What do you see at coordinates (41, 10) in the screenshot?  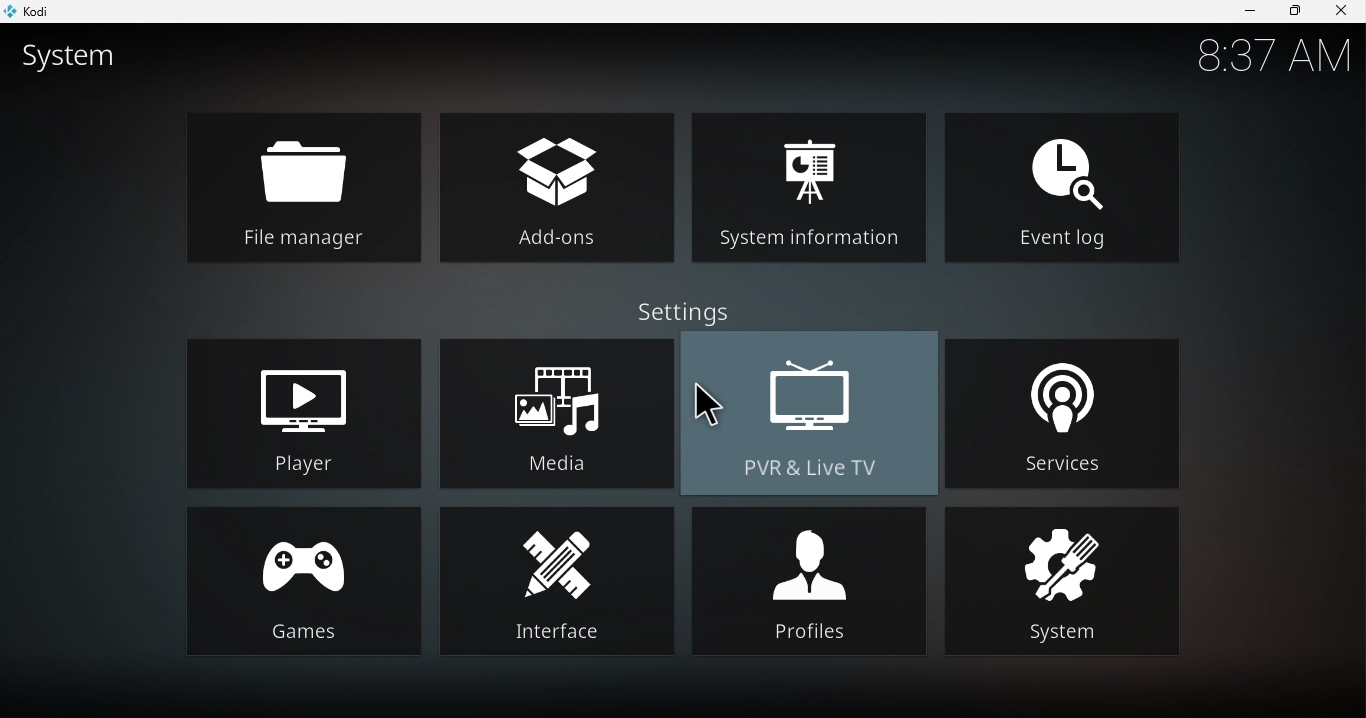 I see `Kodi icon` at bounding box center [41, 10].